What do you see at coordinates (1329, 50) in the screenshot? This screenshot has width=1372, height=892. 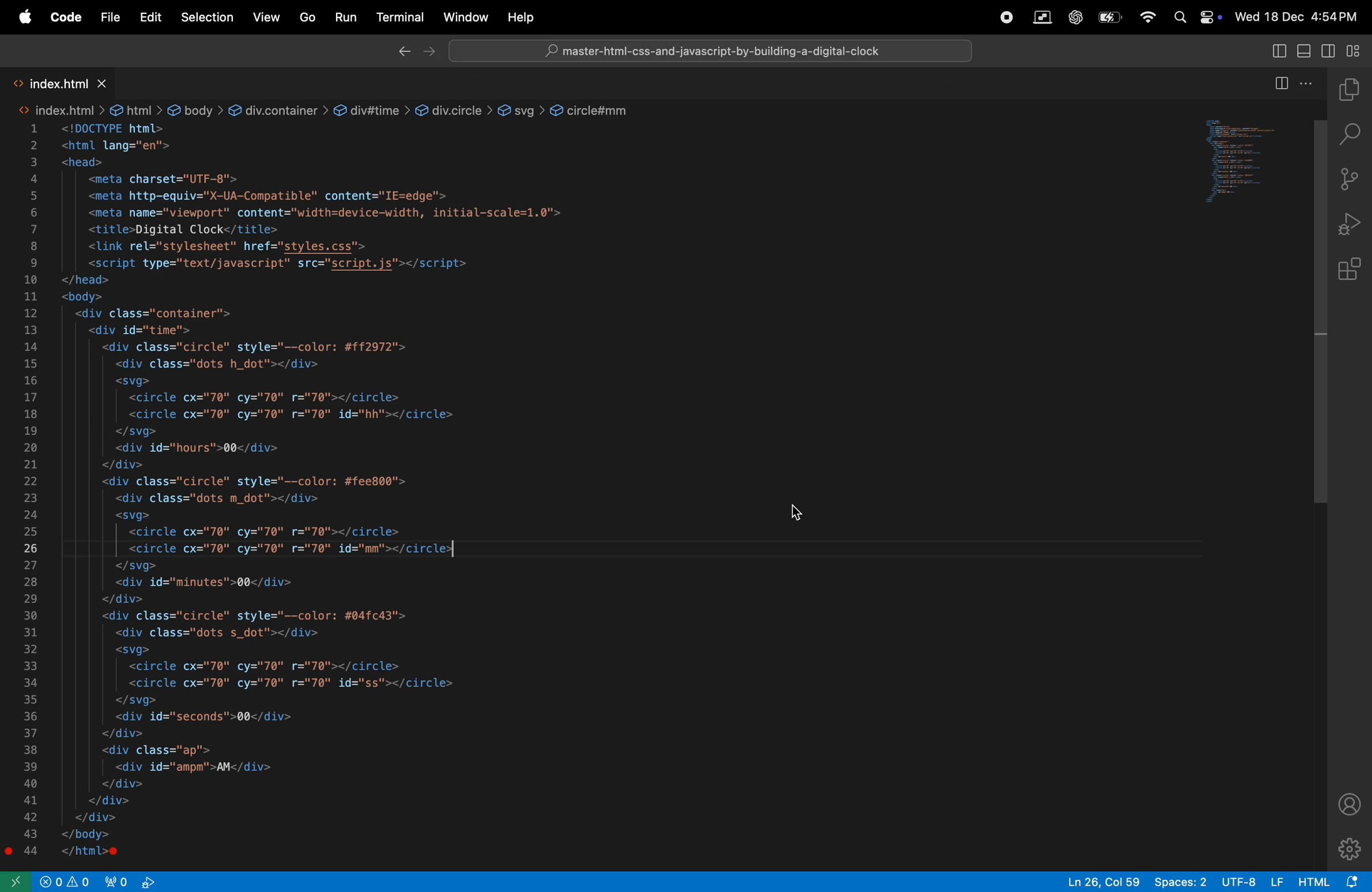 I see `secondary side bar ` at bounding box center [1329, 50].